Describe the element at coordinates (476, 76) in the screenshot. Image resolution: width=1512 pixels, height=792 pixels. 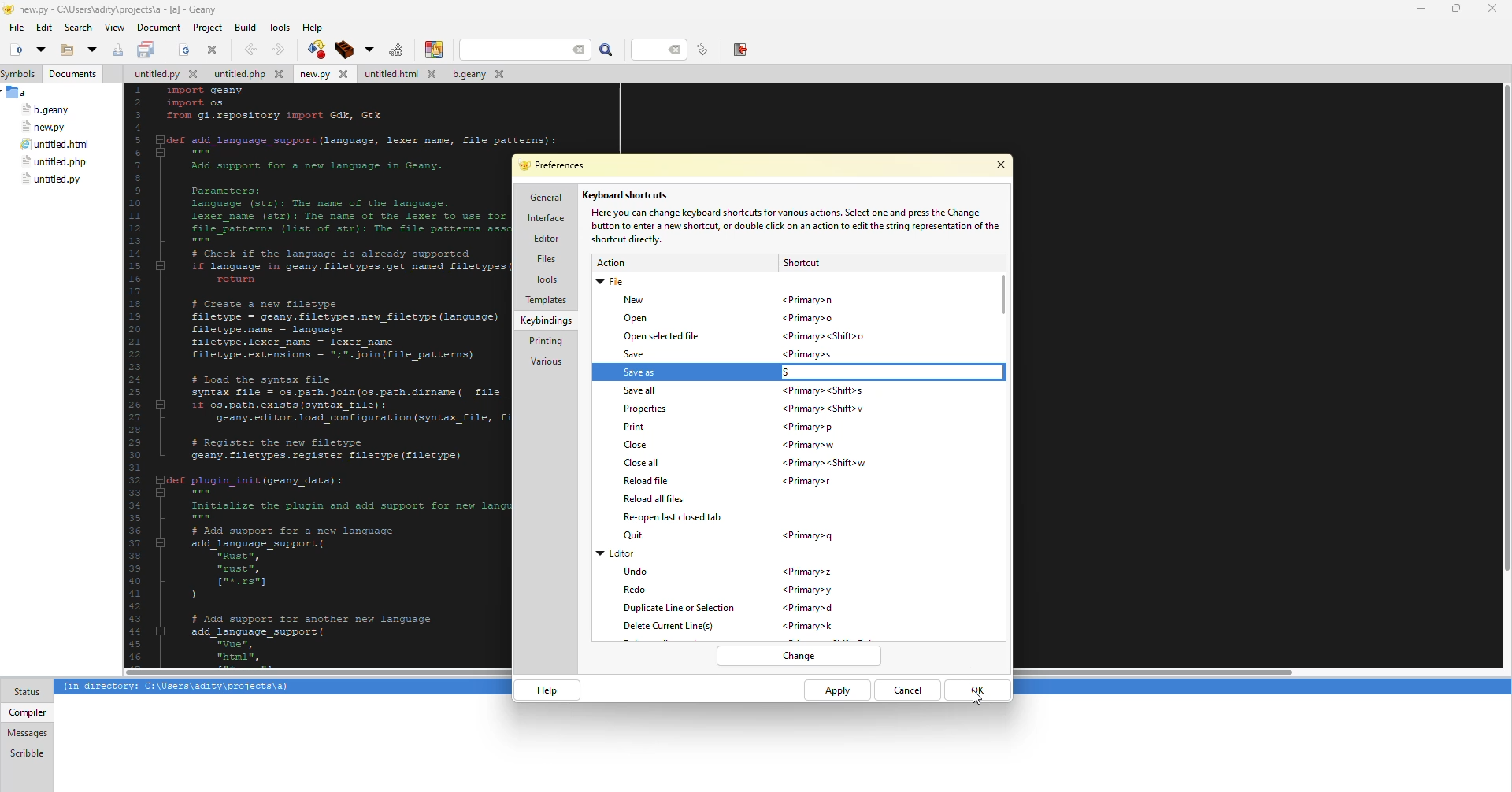
I see `file` at that location.